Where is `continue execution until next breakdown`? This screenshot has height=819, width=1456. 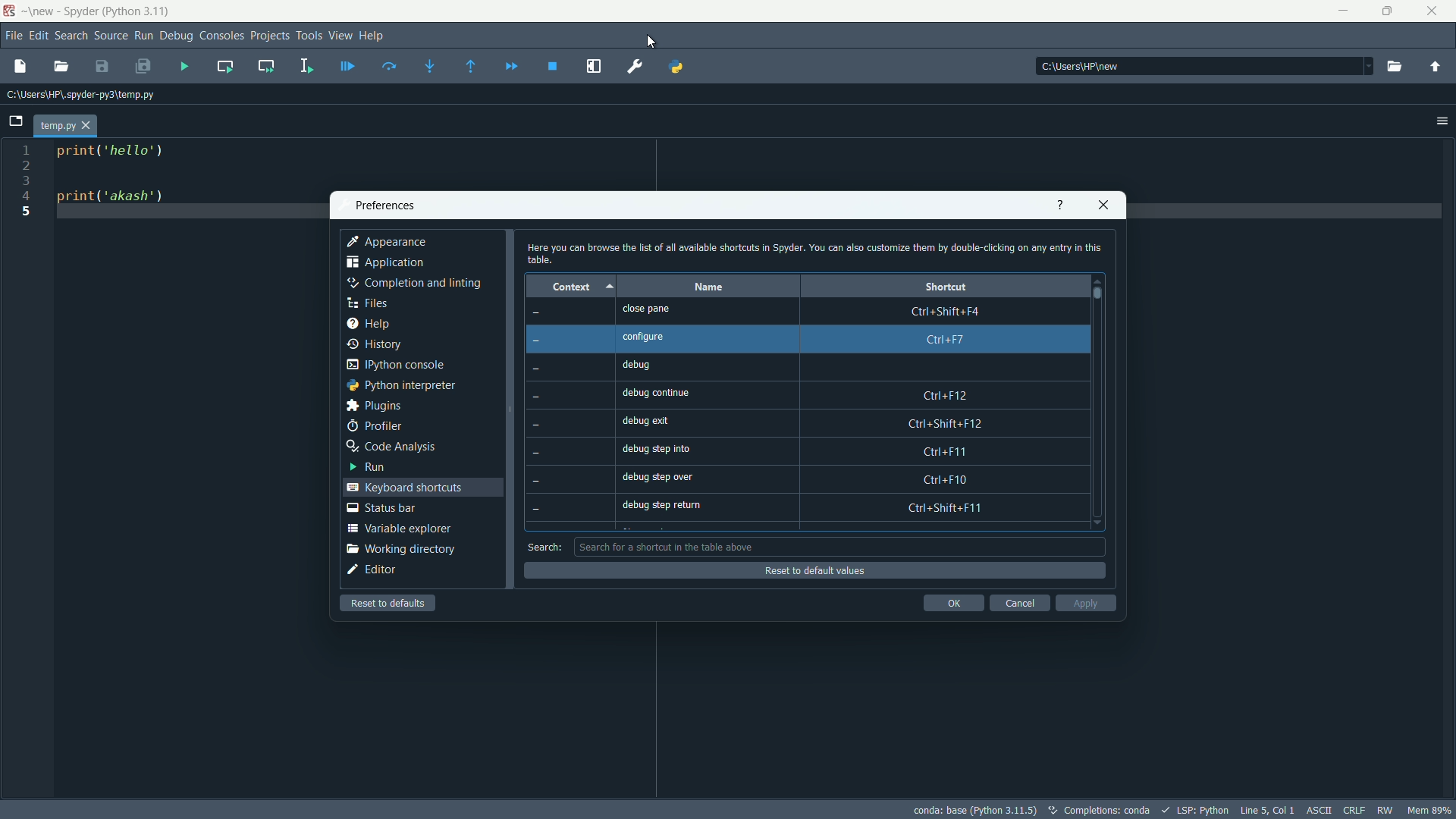 continue execution until next breakdown is located at coordinates (512, 67).